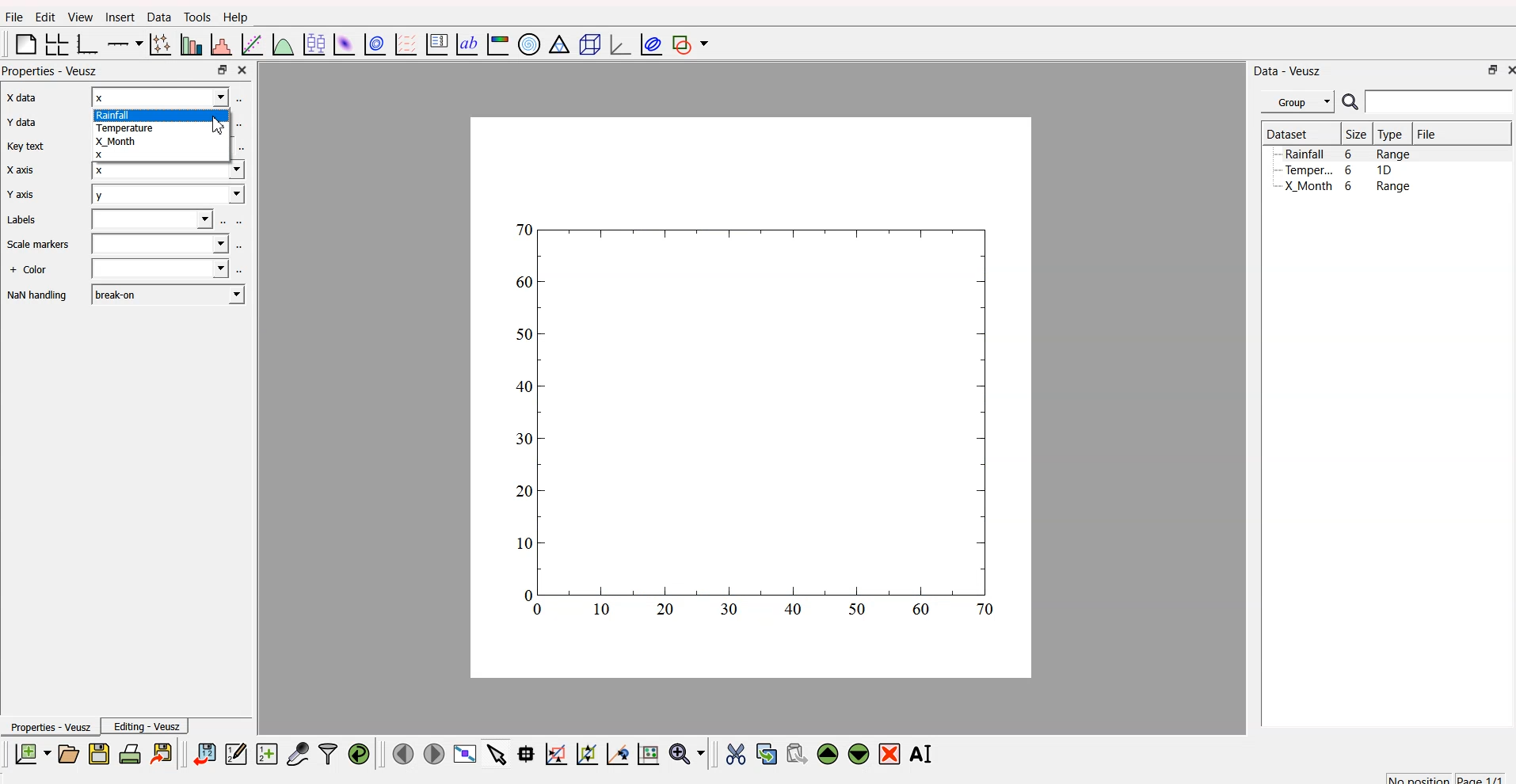 Image resolution: width=1516 pixels, height=784 pixels. Describe the element at coordinates (55, 45) in the screenshot. I see `arrange grid in graph` at that location.